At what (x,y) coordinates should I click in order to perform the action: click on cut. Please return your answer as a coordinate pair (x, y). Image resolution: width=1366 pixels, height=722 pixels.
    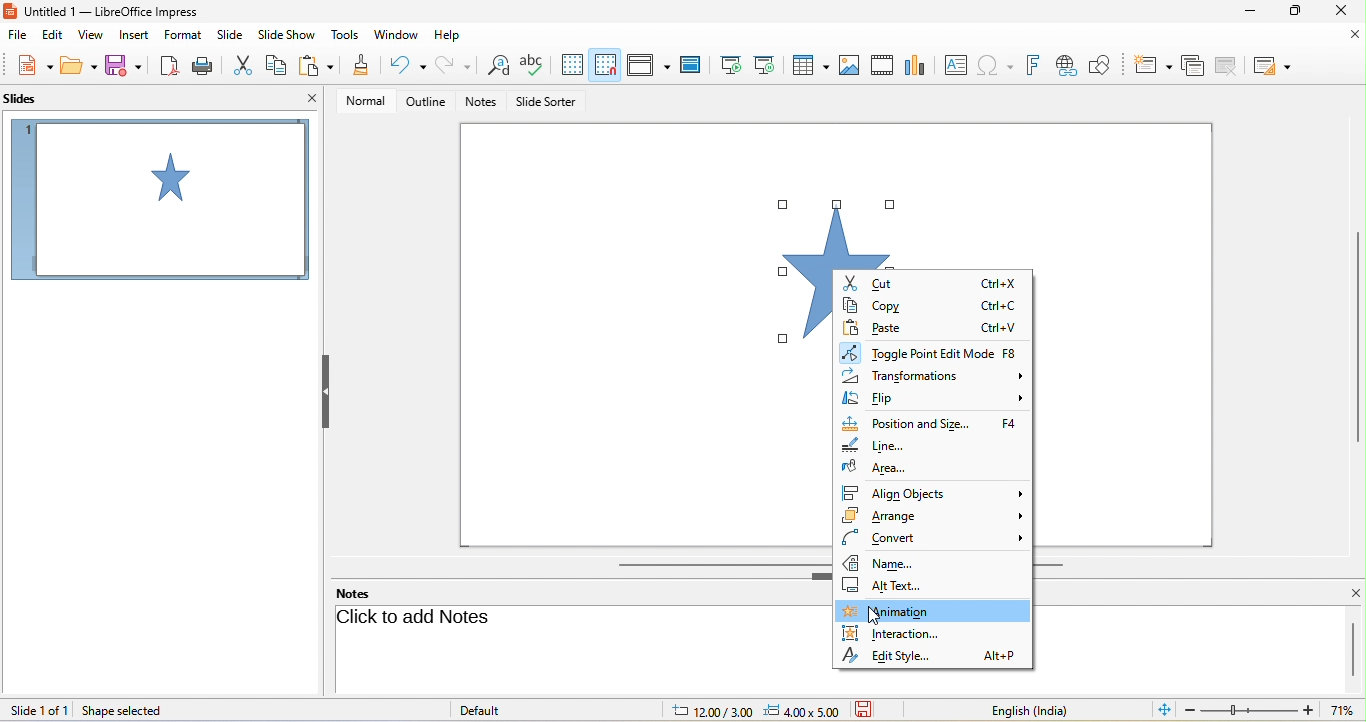
    Looking at the image, I should click on (932, 282).